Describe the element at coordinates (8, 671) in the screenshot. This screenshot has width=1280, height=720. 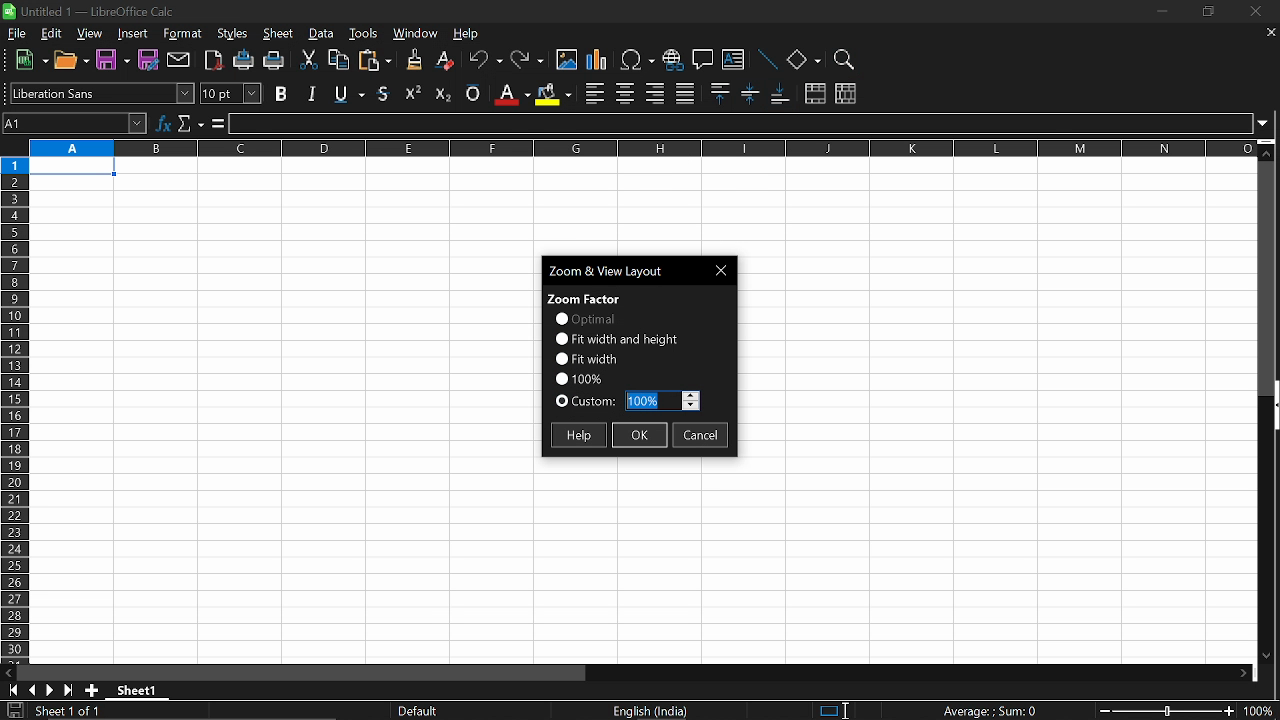
I see `move left` at that location.